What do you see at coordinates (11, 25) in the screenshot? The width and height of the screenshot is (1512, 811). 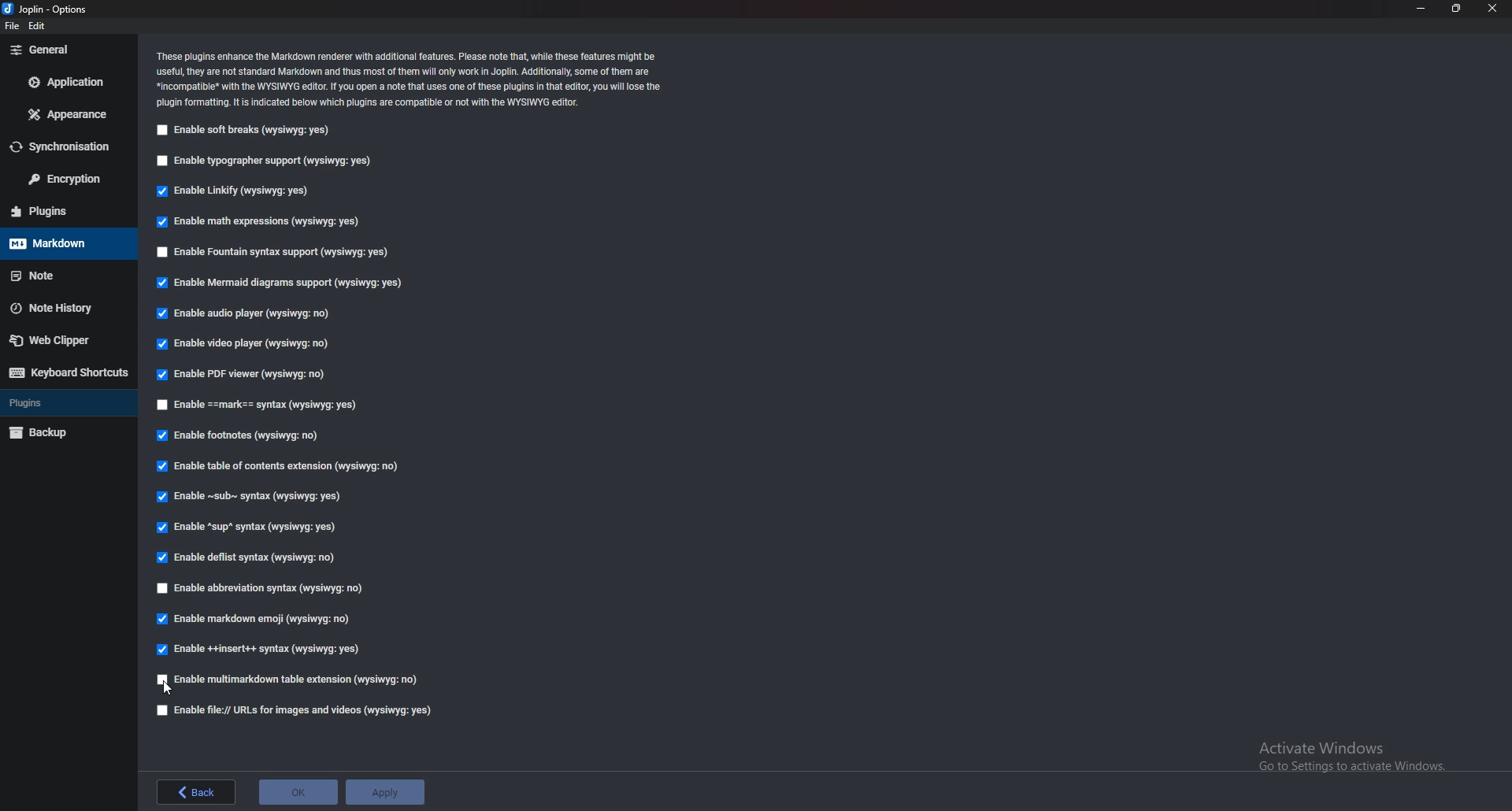 I see `file` at bounding box center [11, 25].